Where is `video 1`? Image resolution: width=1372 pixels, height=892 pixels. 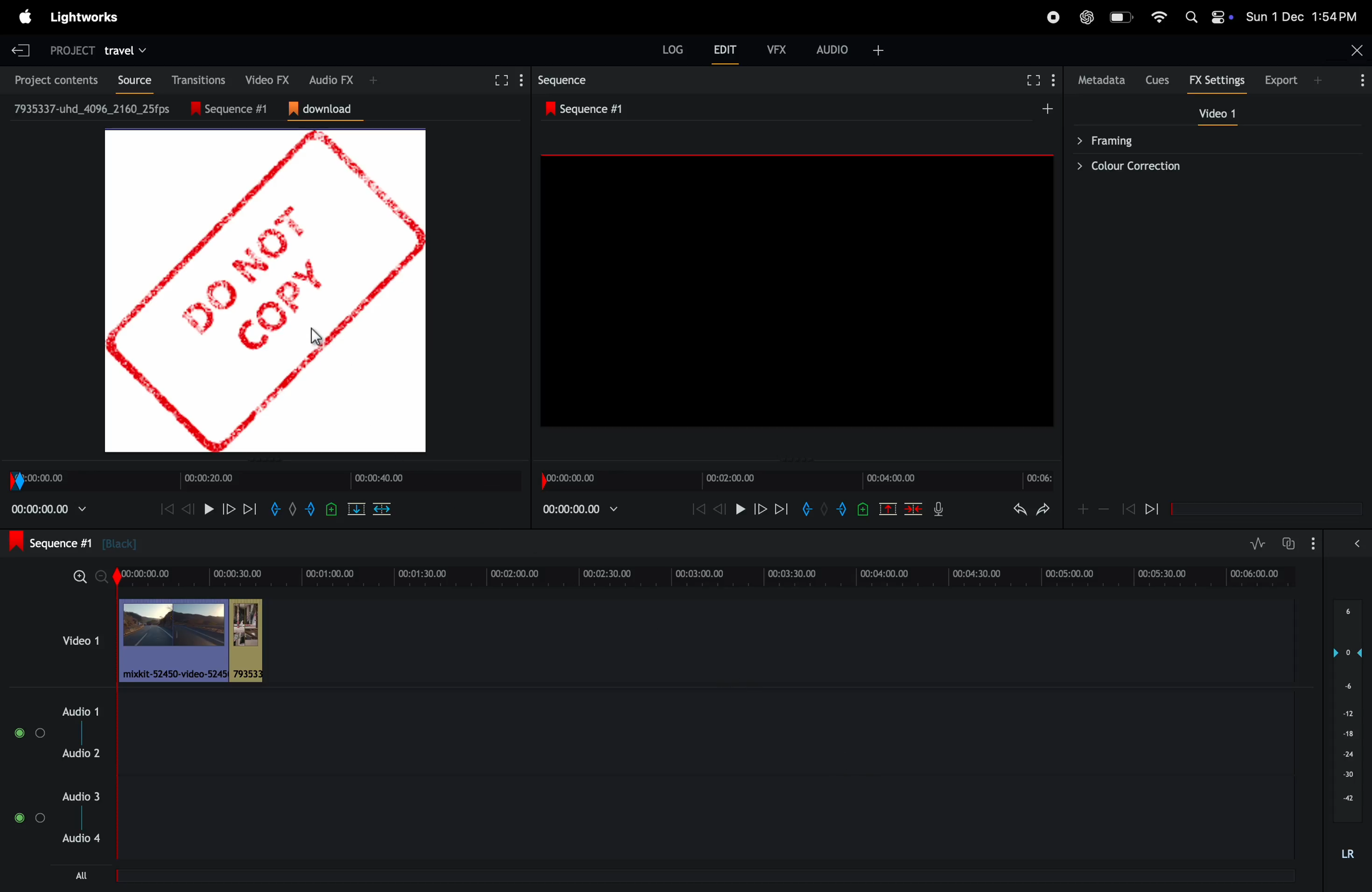
video 1 is located at coordinates (81, 640).